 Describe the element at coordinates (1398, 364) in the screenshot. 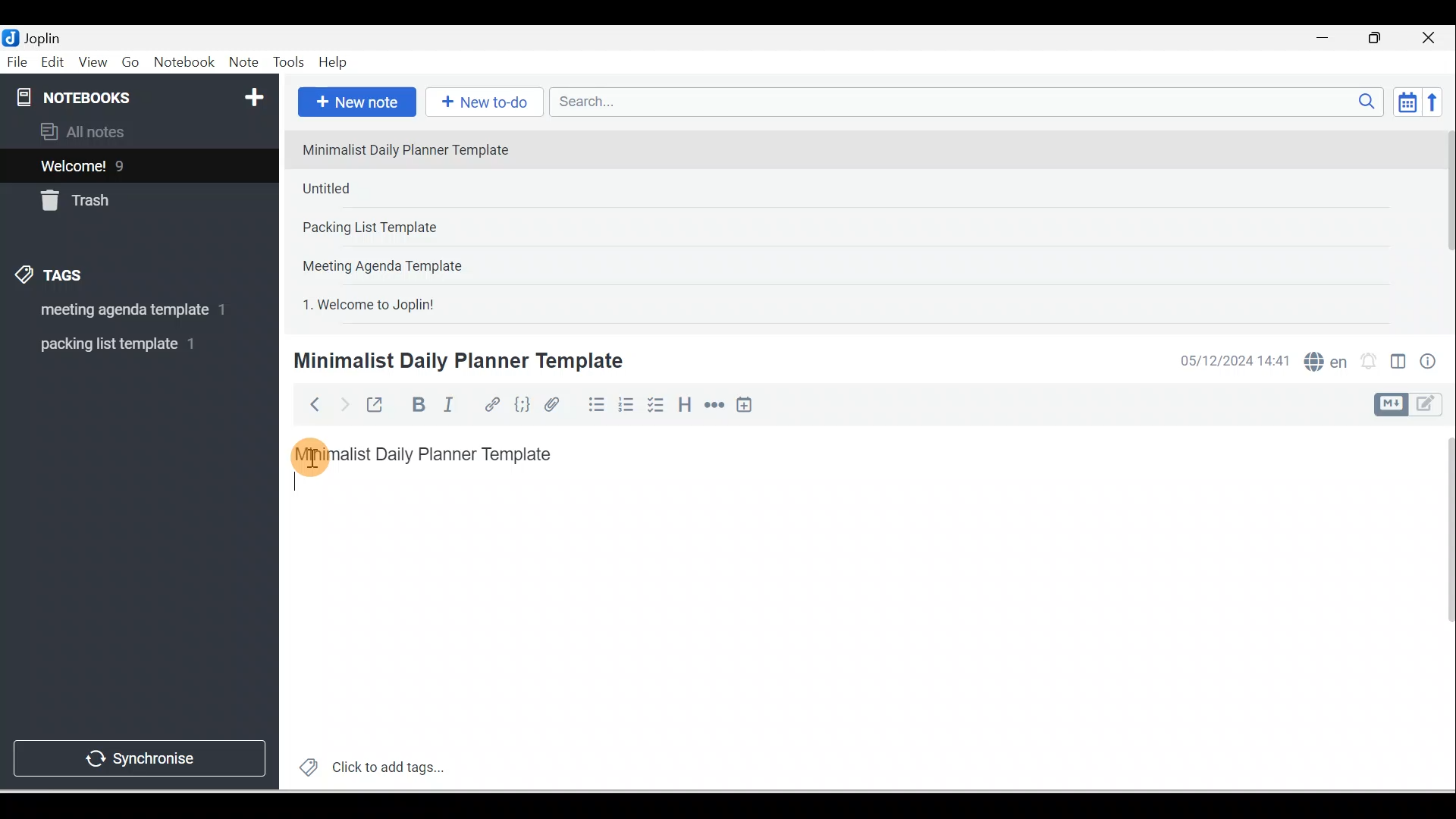

I see `Toggle editors` at that location.